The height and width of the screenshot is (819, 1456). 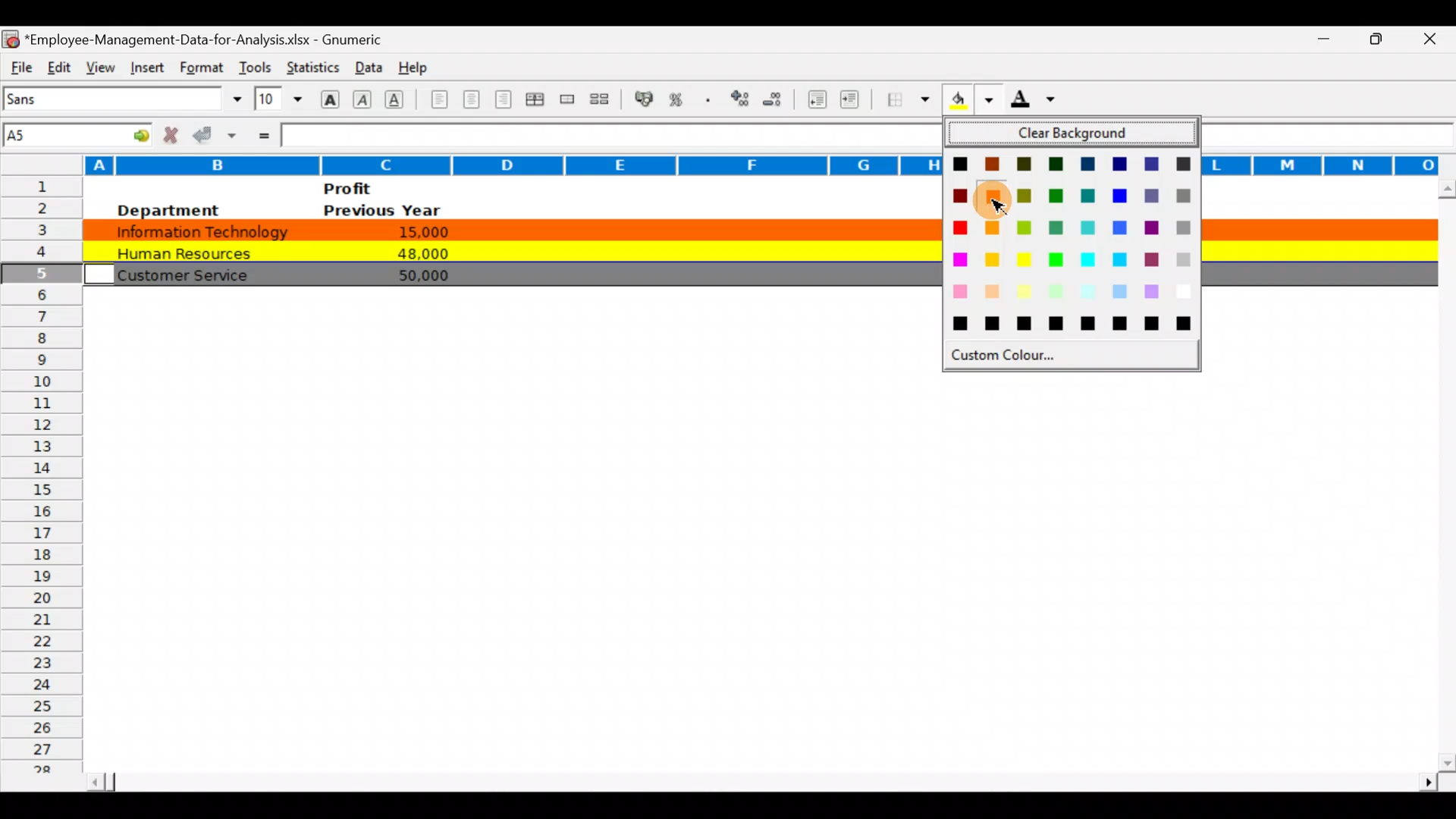 What do you see at coordinates (566, 101) in the screenshot?
I see `Merge a range of cells` at bounding box center [566, 101].